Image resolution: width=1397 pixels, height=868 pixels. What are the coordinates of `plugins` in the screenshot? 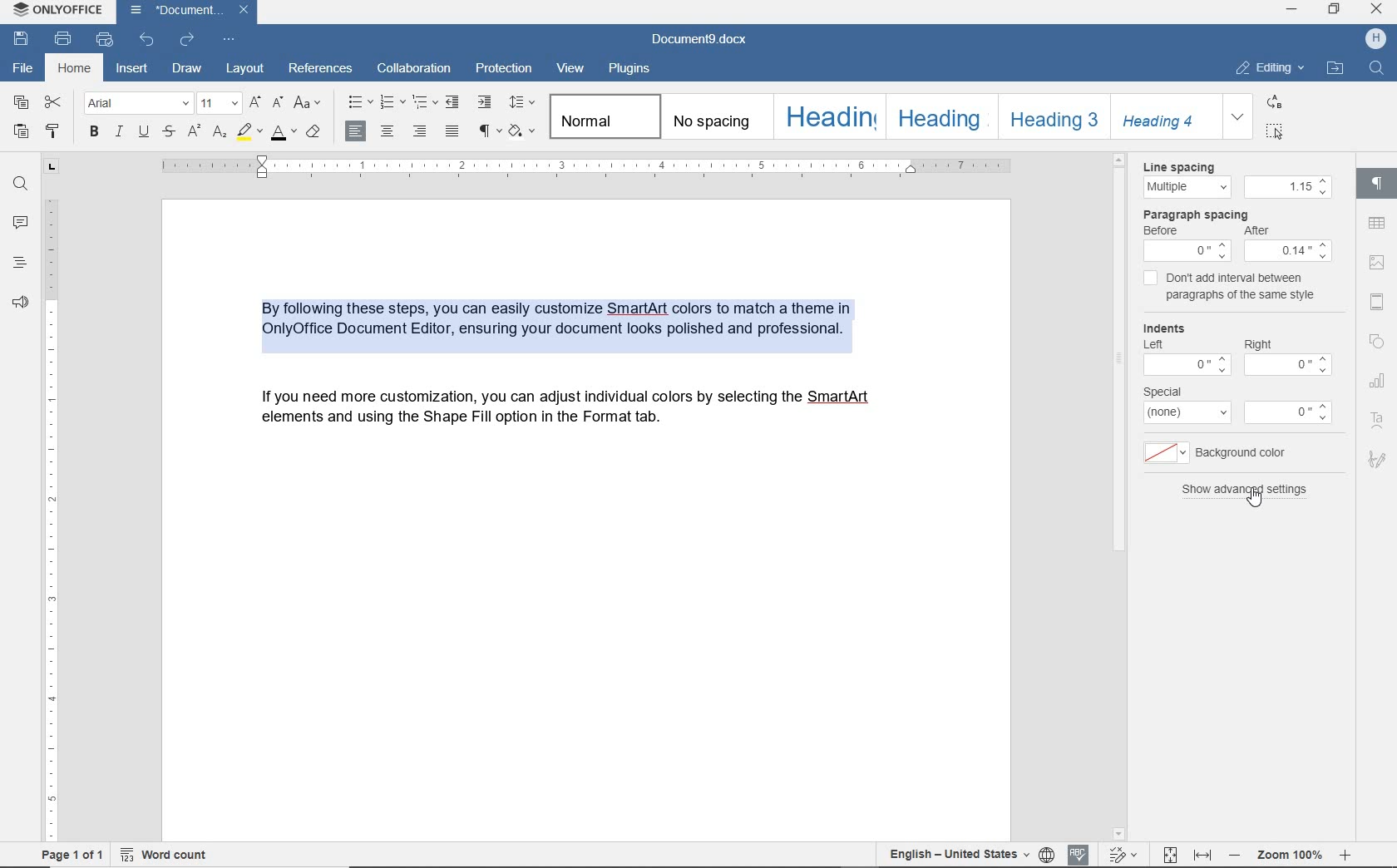 It's located at (636, 69).